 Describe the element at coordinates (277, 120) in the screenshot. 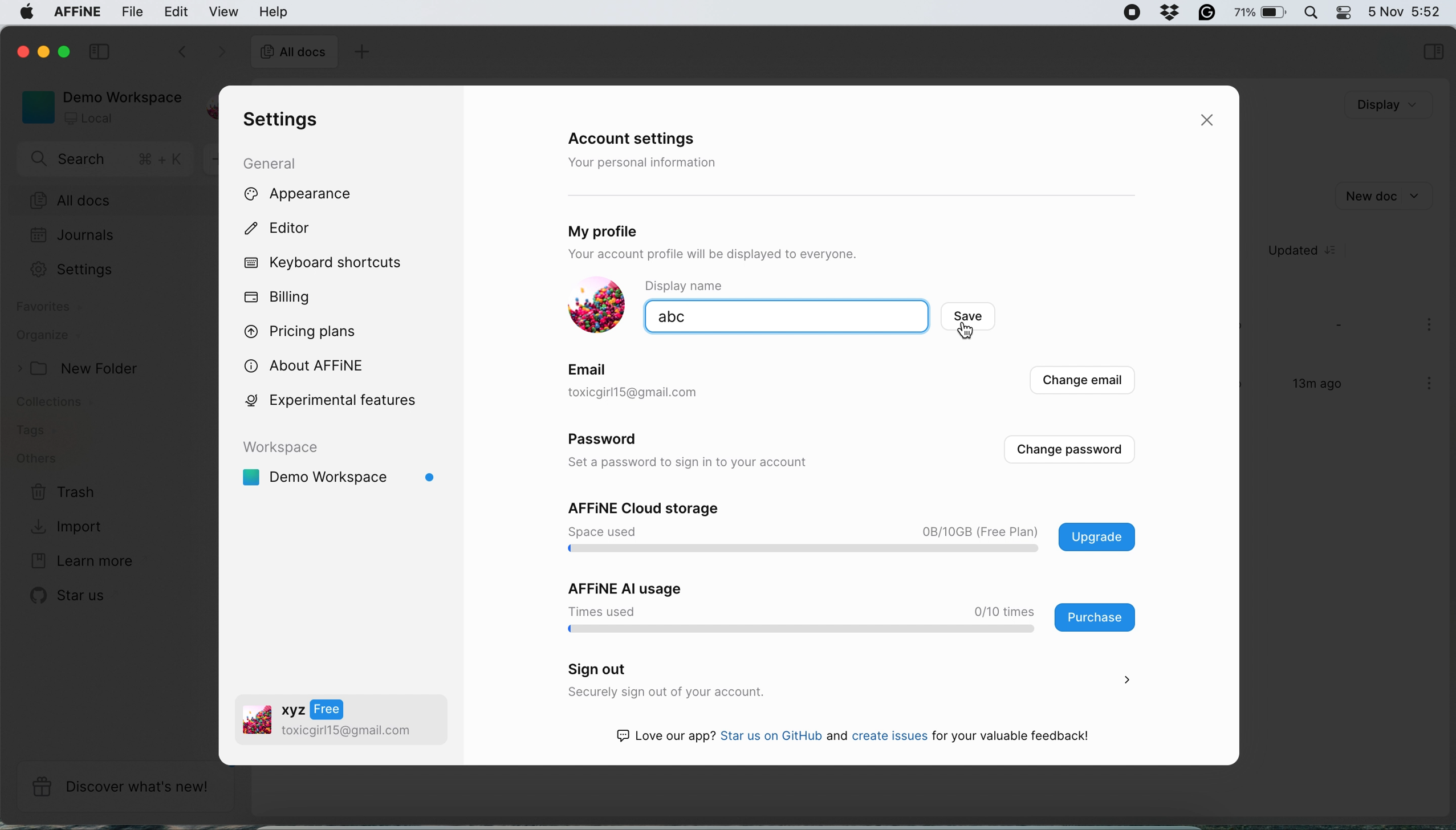

I see `settings` at that location.